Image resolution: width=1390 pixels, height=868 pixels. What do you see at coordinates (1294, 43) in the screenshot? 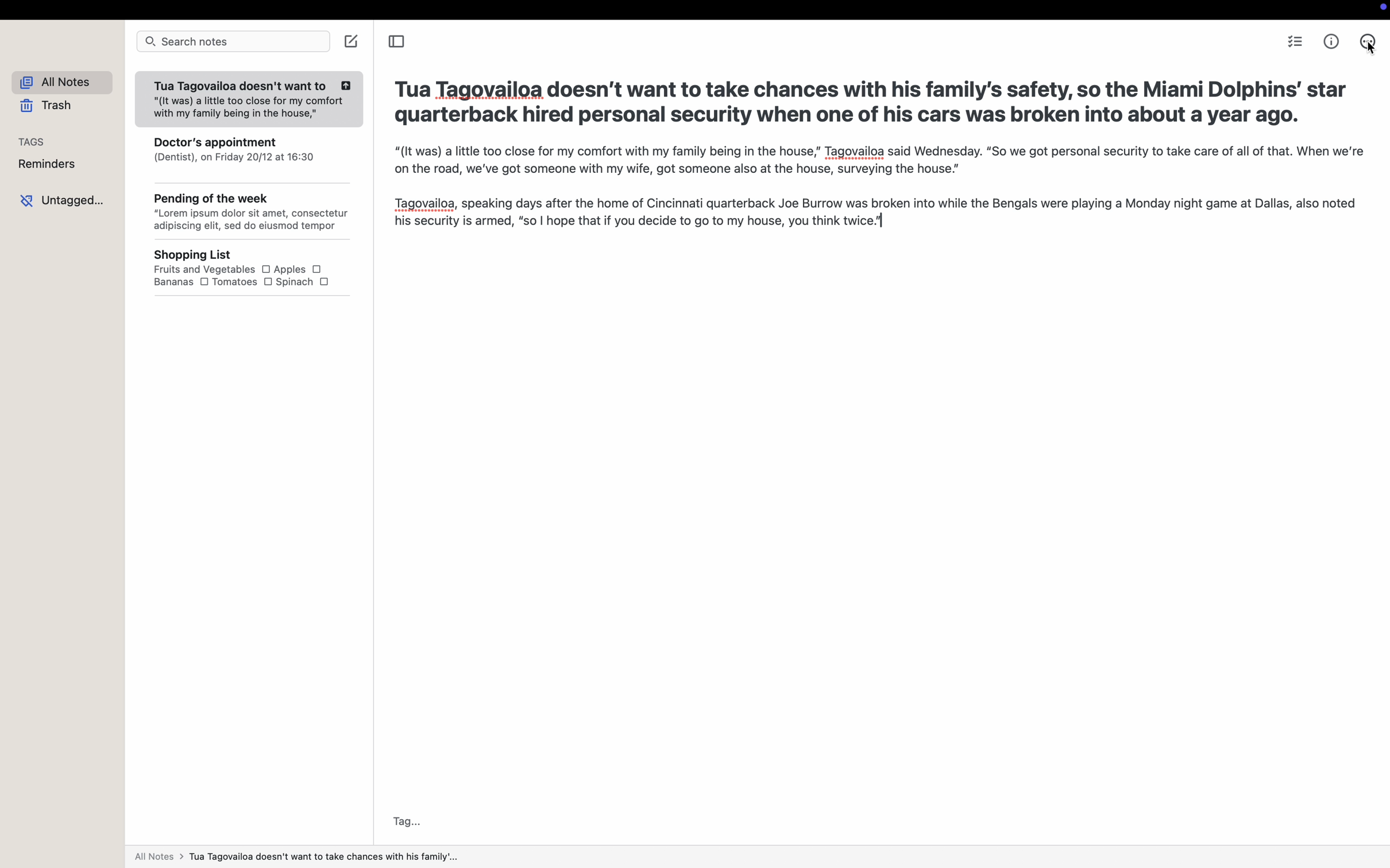
I see `checklist` at bounding box center [1294, 43].